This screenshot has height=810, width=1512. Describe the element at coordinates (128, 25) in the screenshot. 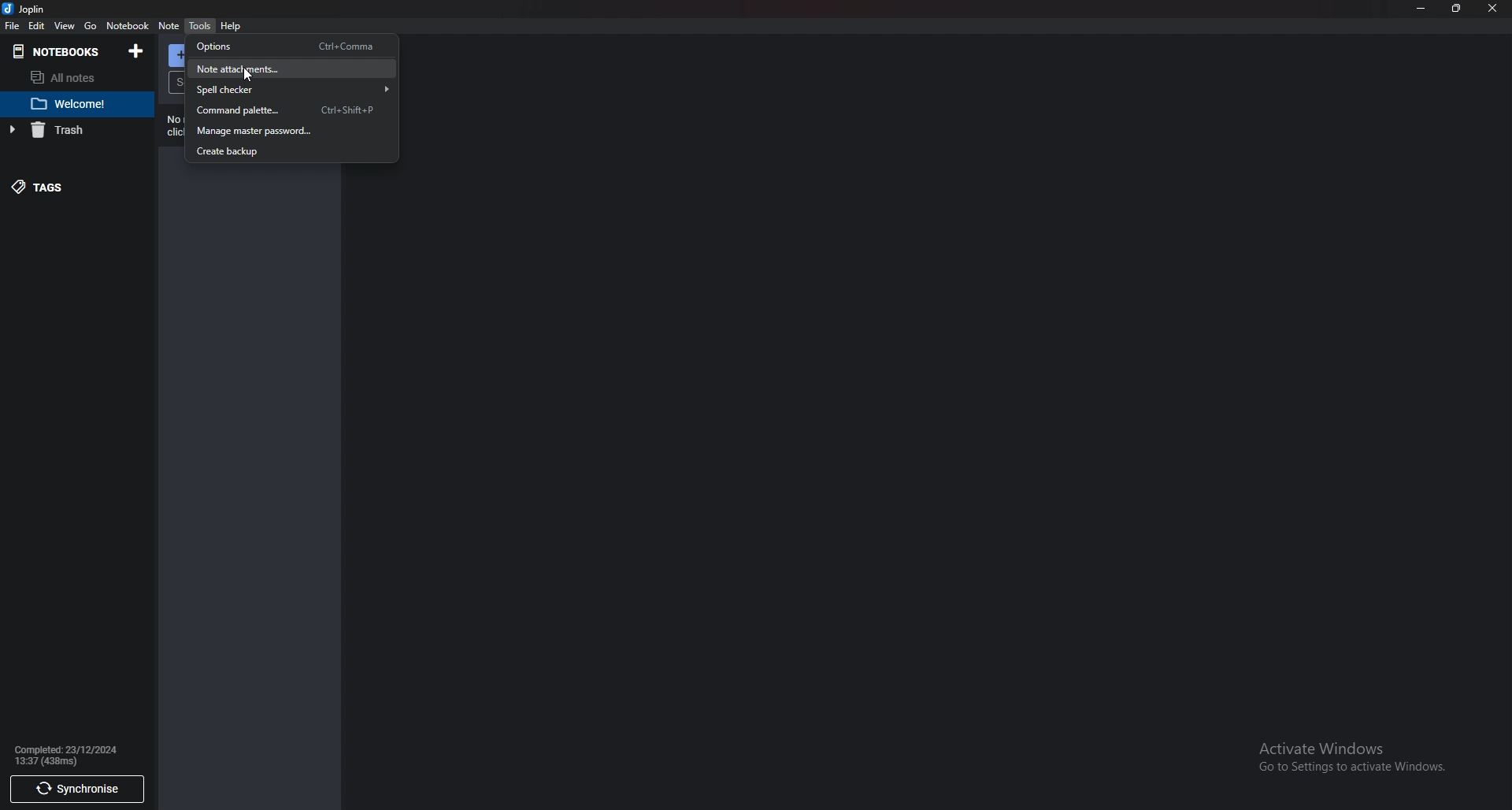

I see `Notebook` at that location.